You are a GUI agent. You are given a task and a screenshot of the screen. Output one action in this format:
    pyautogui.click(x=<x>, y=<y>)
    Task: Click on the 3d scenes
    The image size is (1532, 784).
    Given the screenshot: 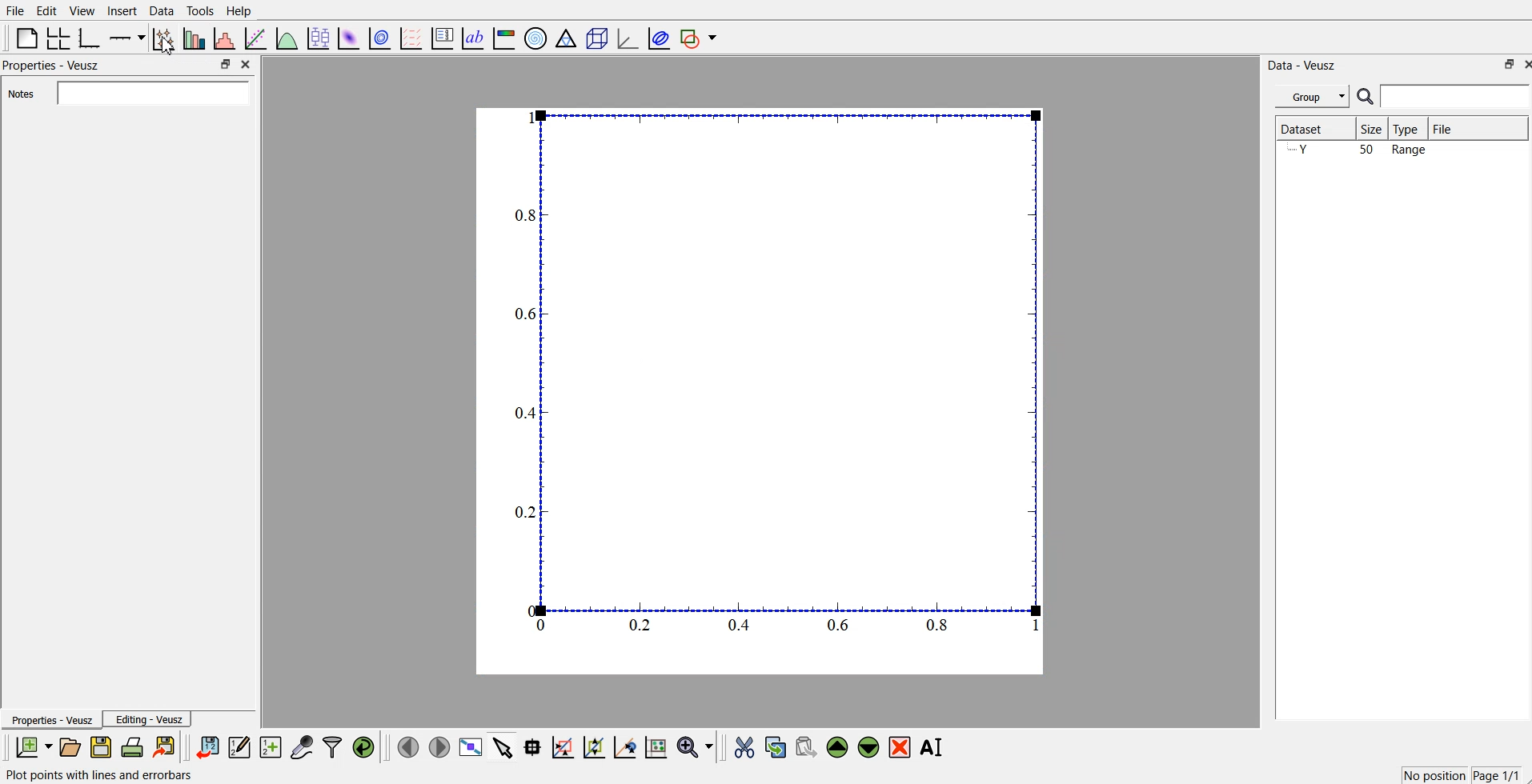 What is the action you would take?
    pyautogui.click(x=595, y=35)
    